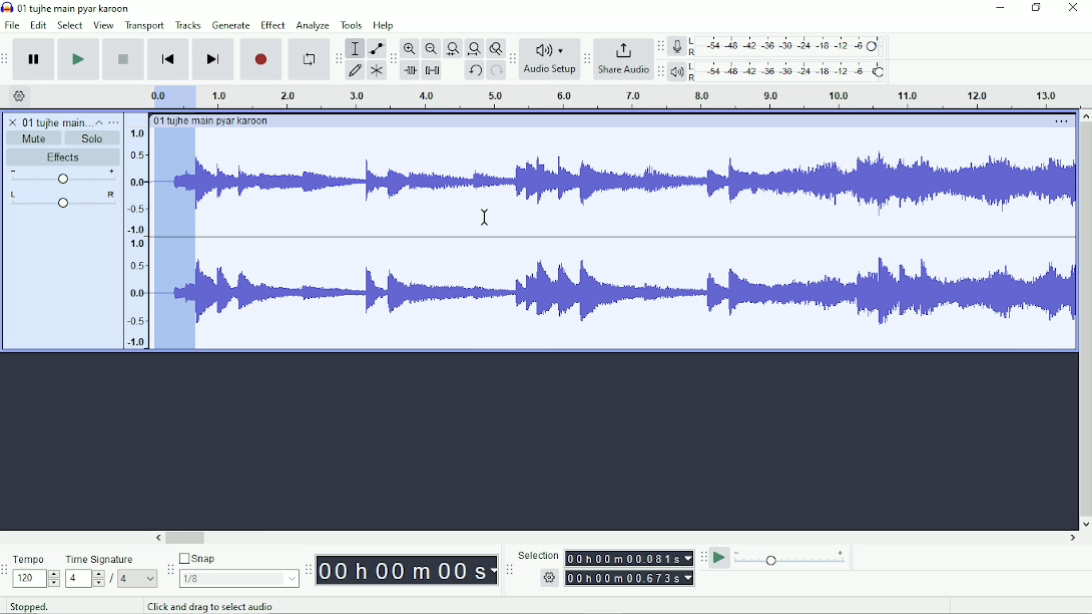 The height and width of the screenshot is (614, 1092). I want to click on Trim audio outside selection, so click(409, 71).